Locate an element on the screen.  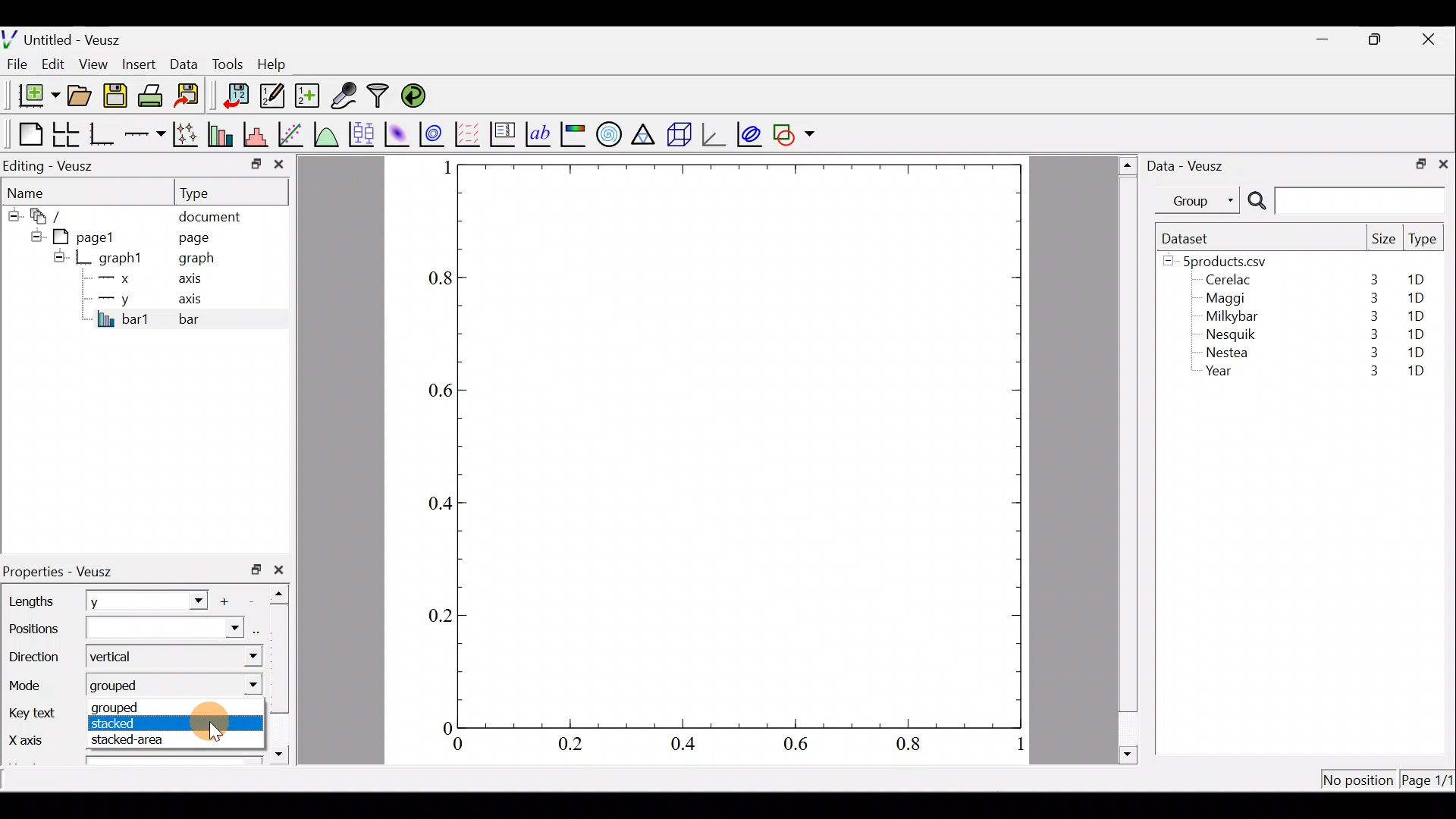
axis is located at coordinates (195, 281).